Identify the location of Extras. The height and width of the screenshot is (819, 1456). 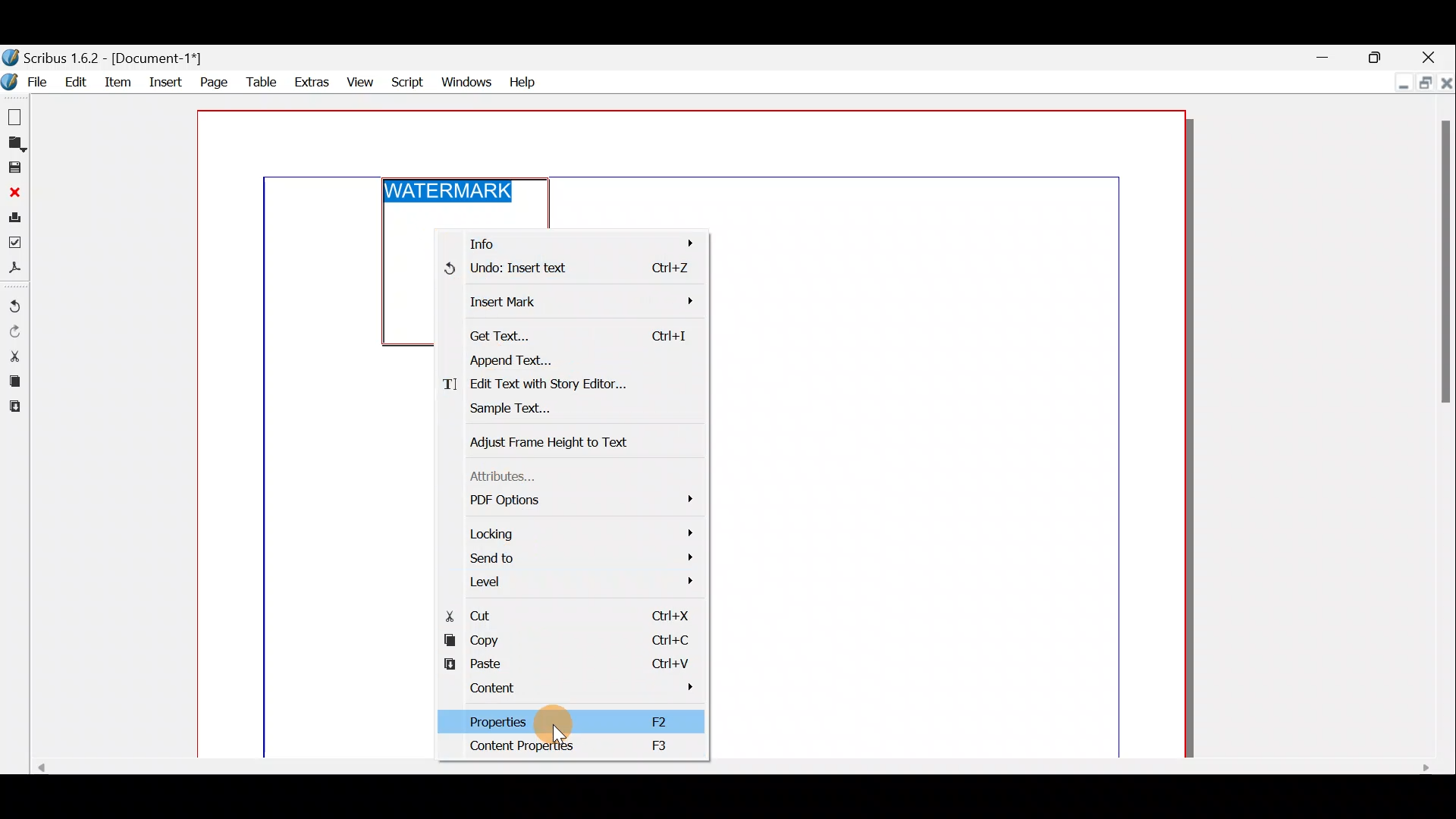
(310, 83).